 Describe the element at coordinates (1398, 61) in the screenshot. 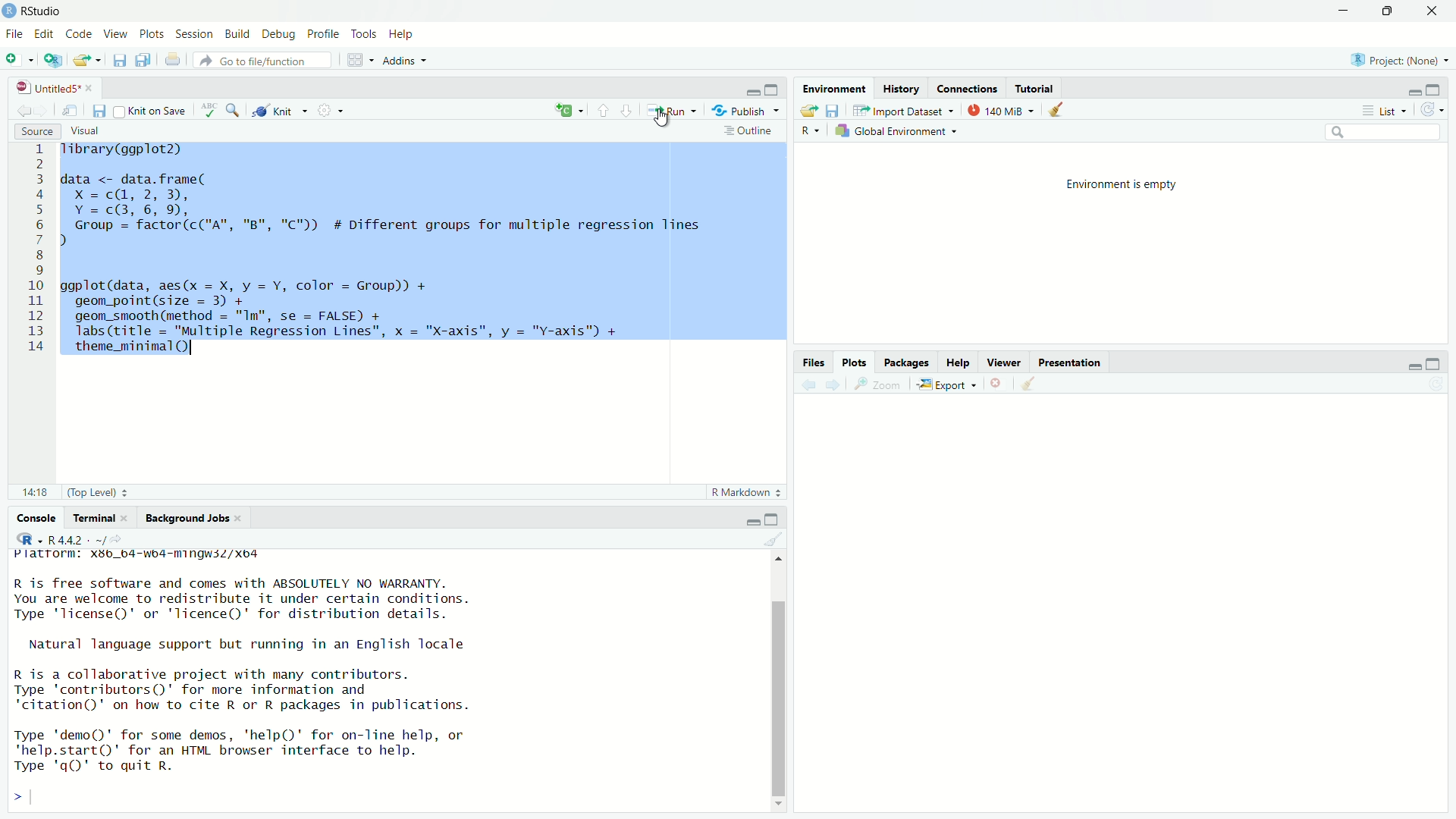

I see `Project: (None)` at that location.